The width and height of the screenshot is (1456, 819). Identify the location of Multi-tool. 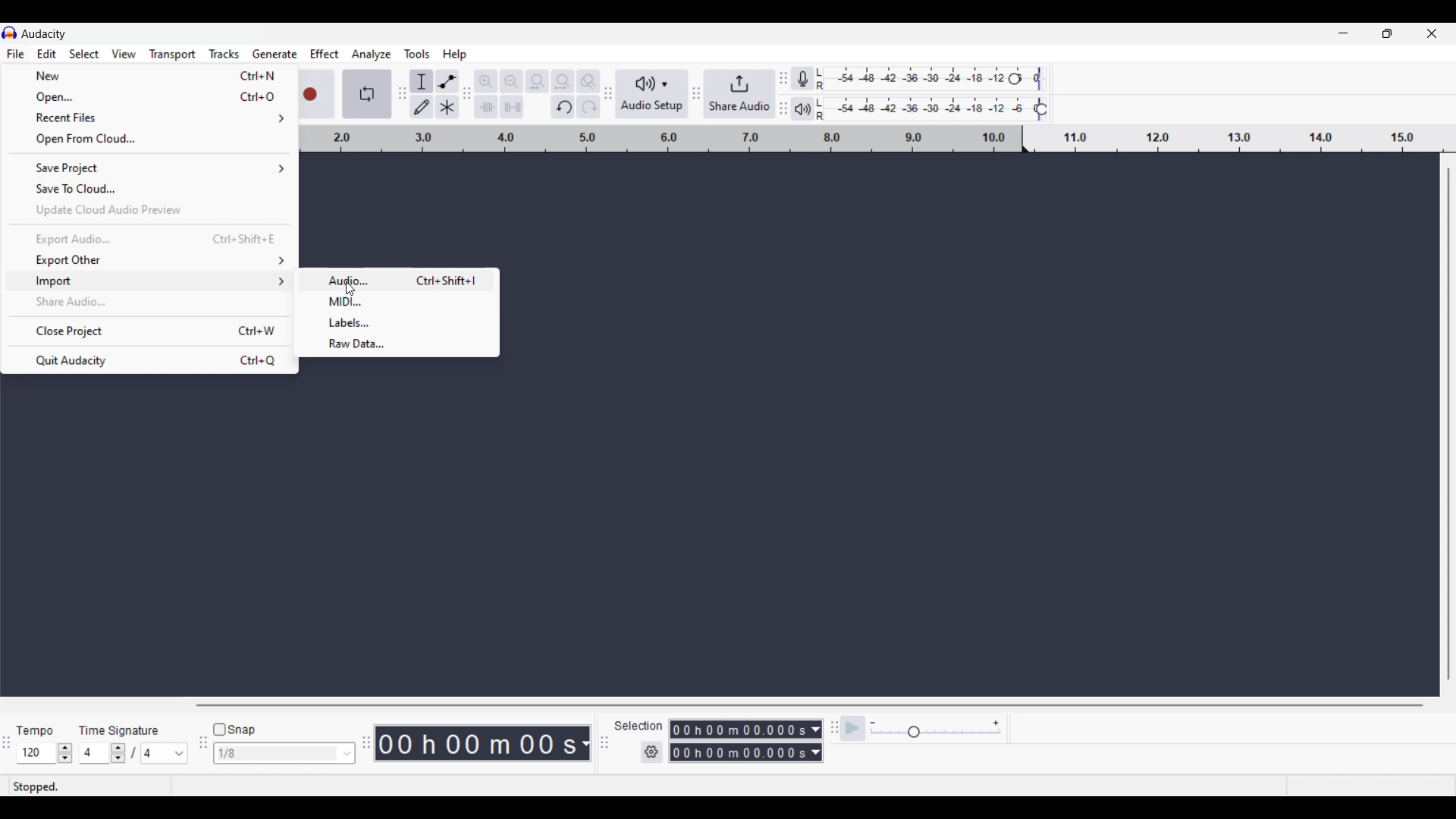
(447, 107).